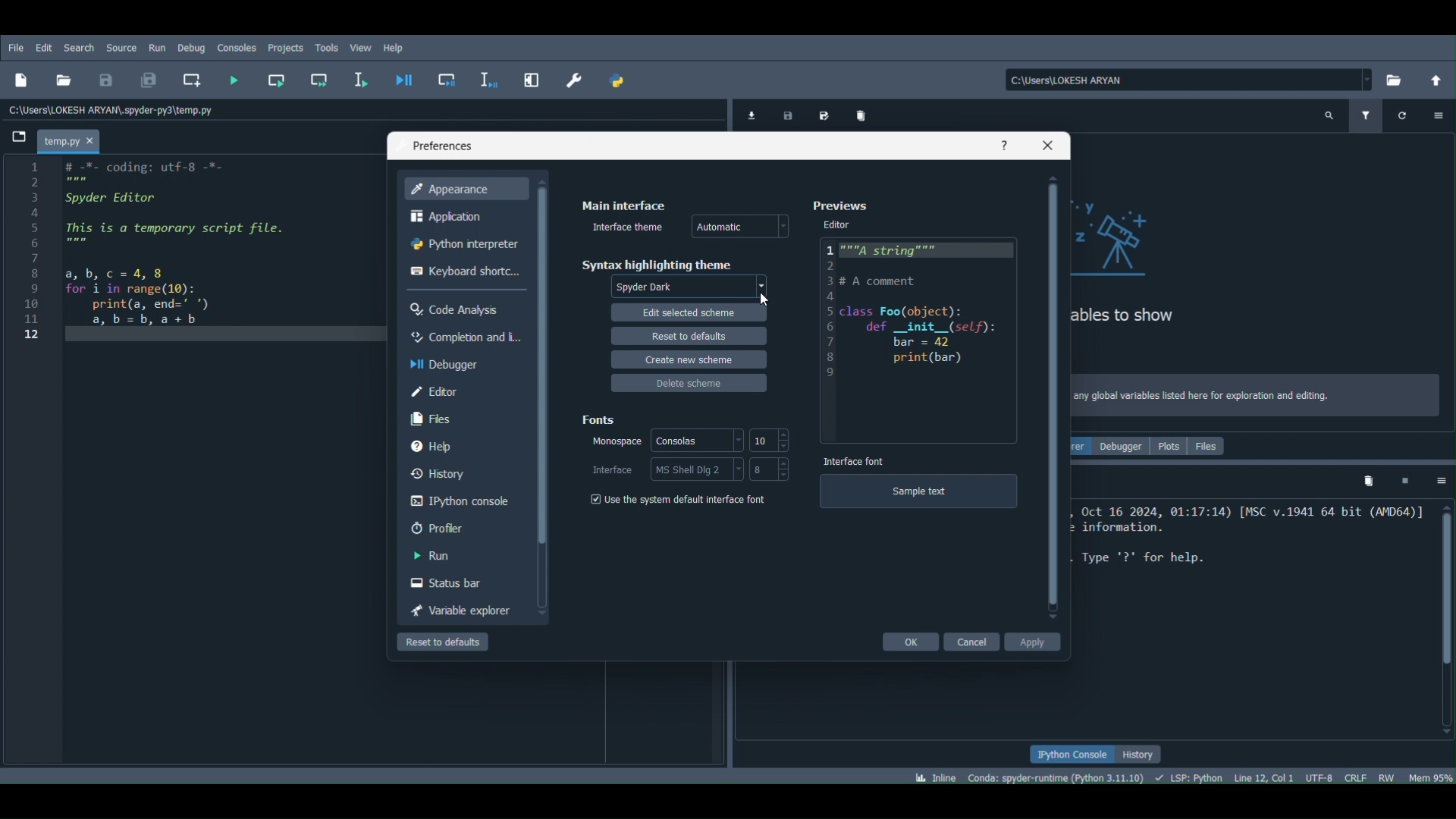 The image size is (1456, 819). What do you see at coordinates (669, 500) in the screenshot?
I see `Use the system default interfaces font` at bounding box center [669, 500].